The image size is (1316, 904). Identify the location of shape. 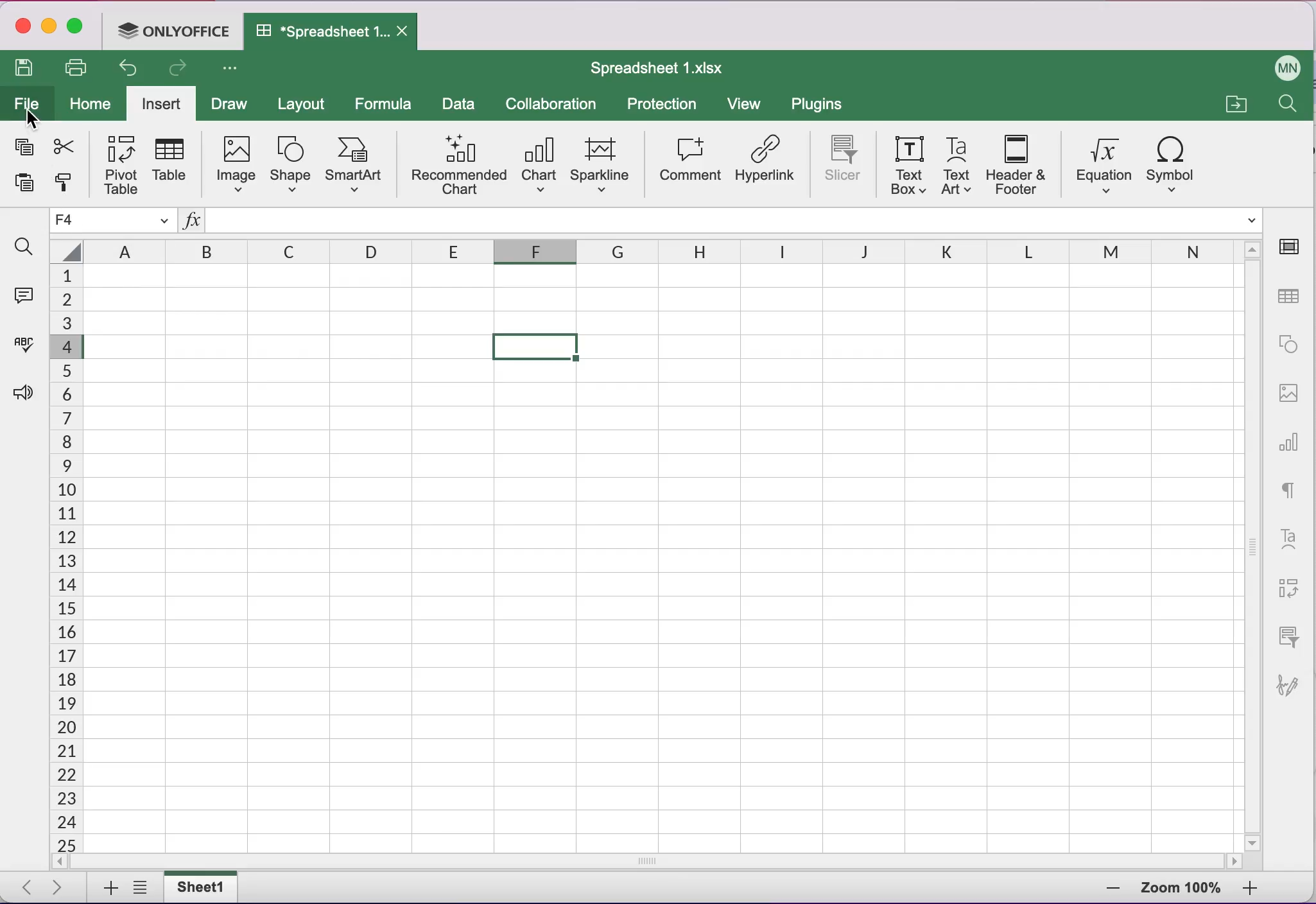
(290, 165).